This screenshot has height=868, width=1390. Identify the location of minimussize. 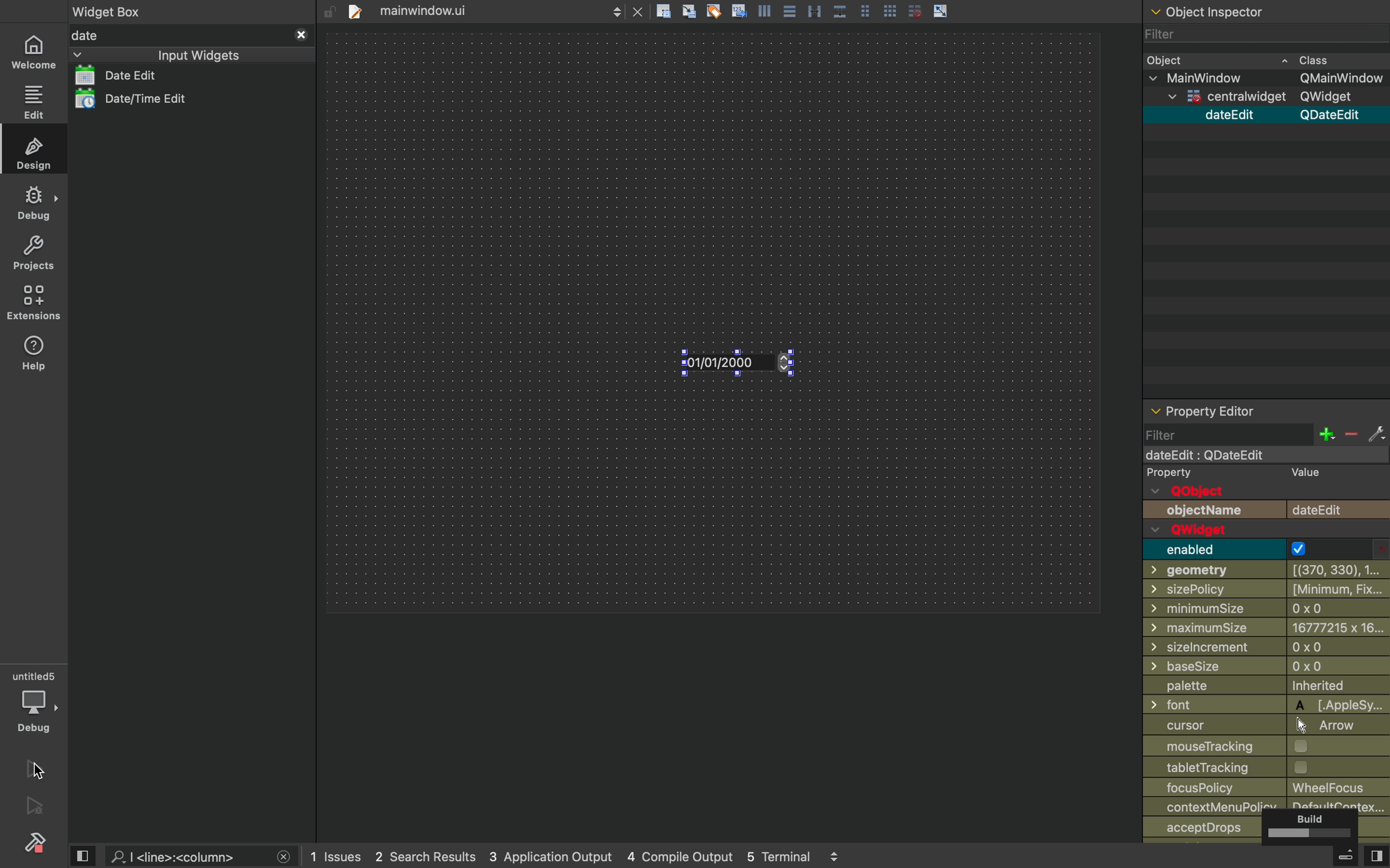
(1261, 610).